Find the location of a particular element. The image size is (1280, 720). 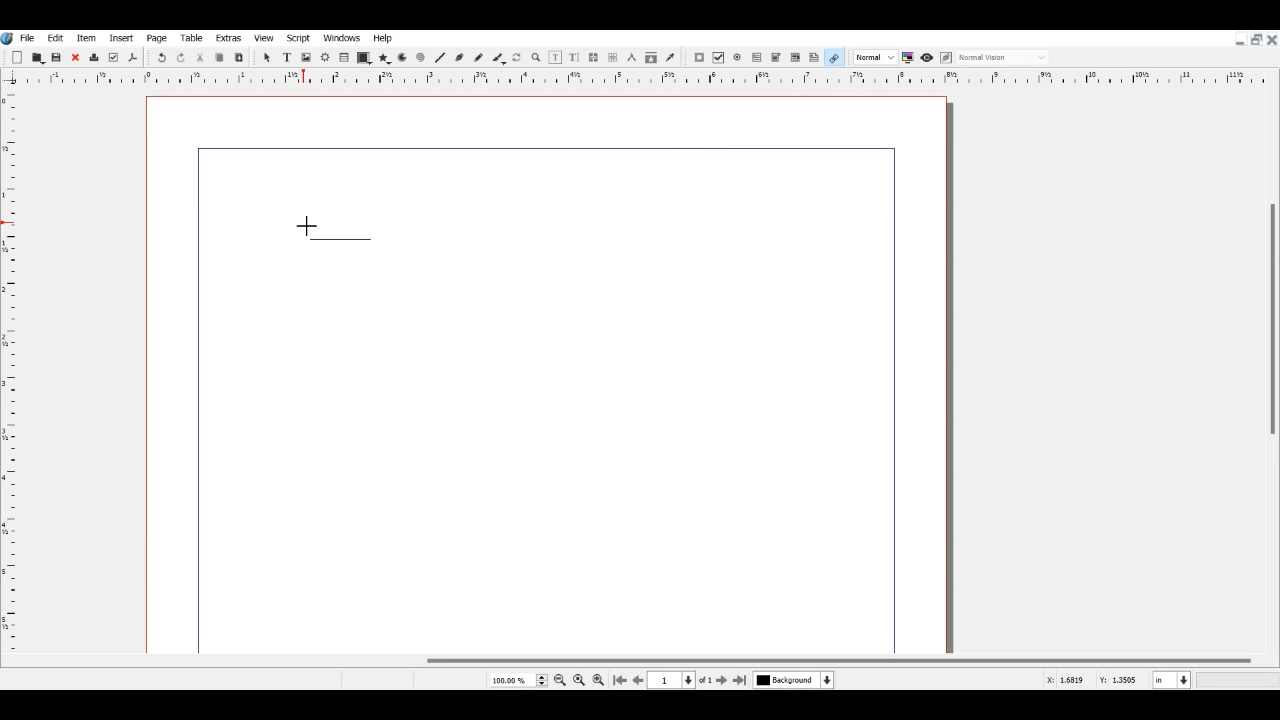

Measurement in Inche is located at coordinates (1172, 680).